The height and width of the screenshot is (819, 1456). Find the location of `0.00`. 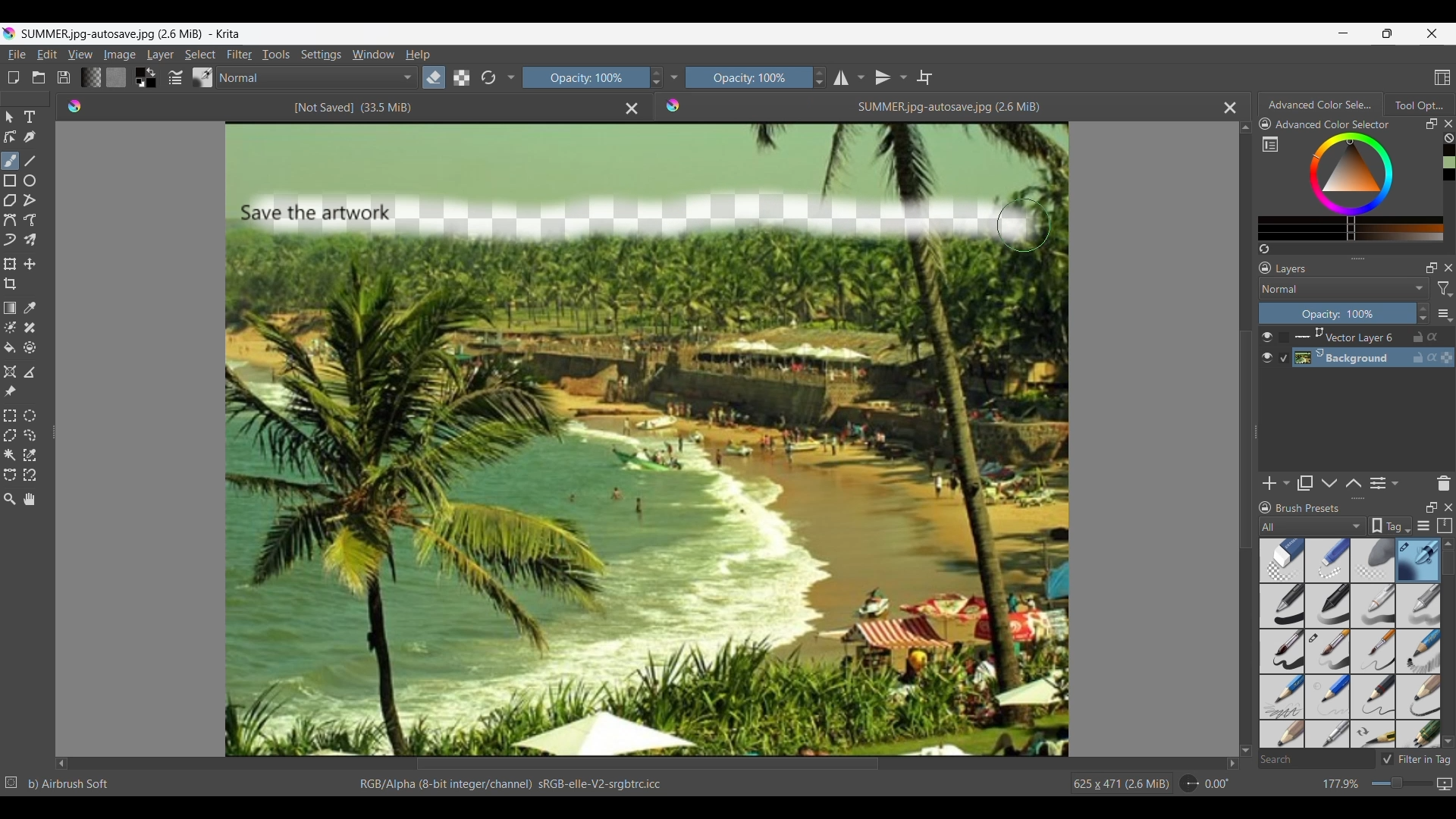

0.00 is located at coordinates (1217, 784).